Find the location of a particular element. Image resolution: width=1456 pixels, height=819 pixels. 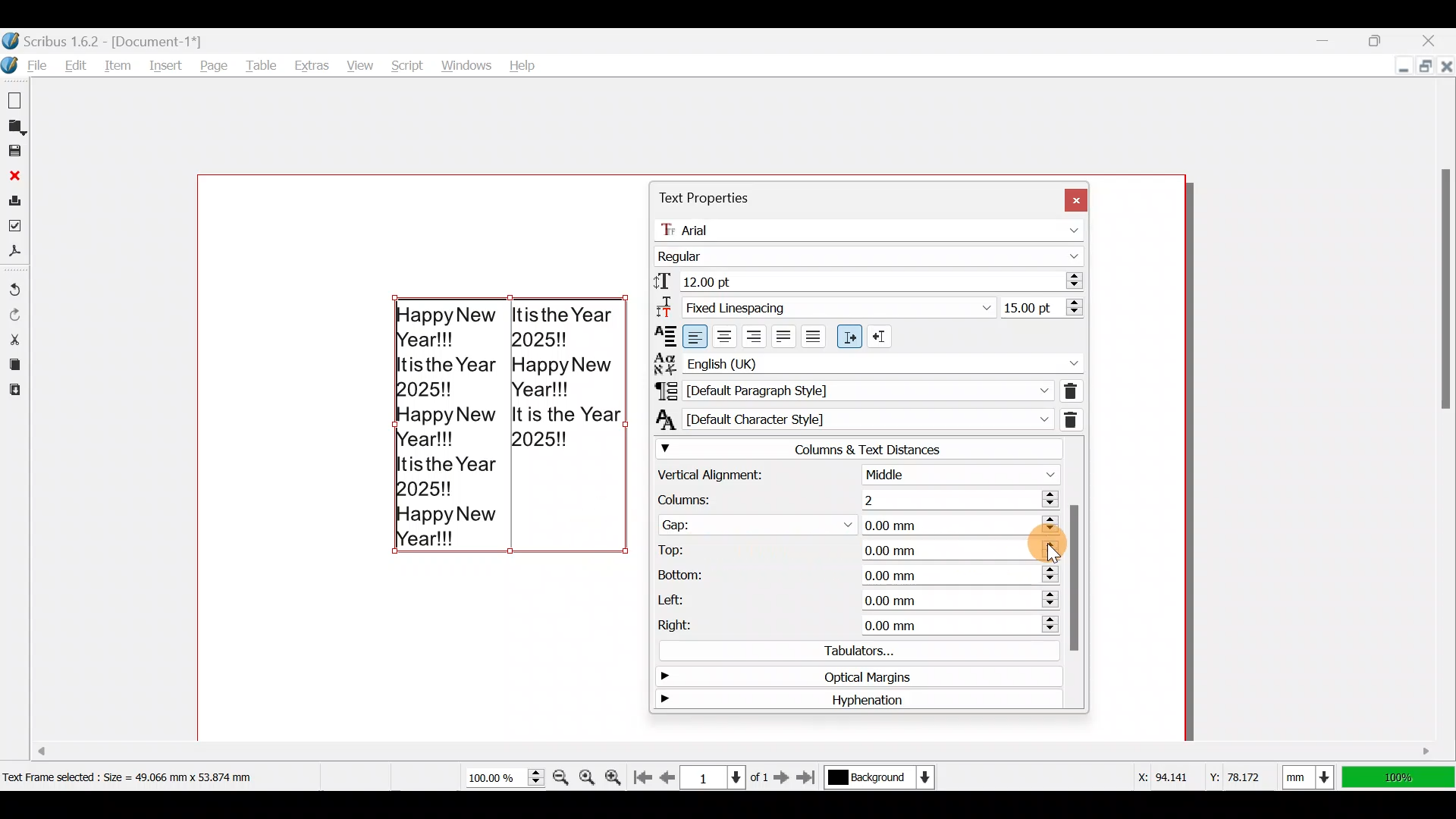

Text Alignment is located at coordinates (661, 335).